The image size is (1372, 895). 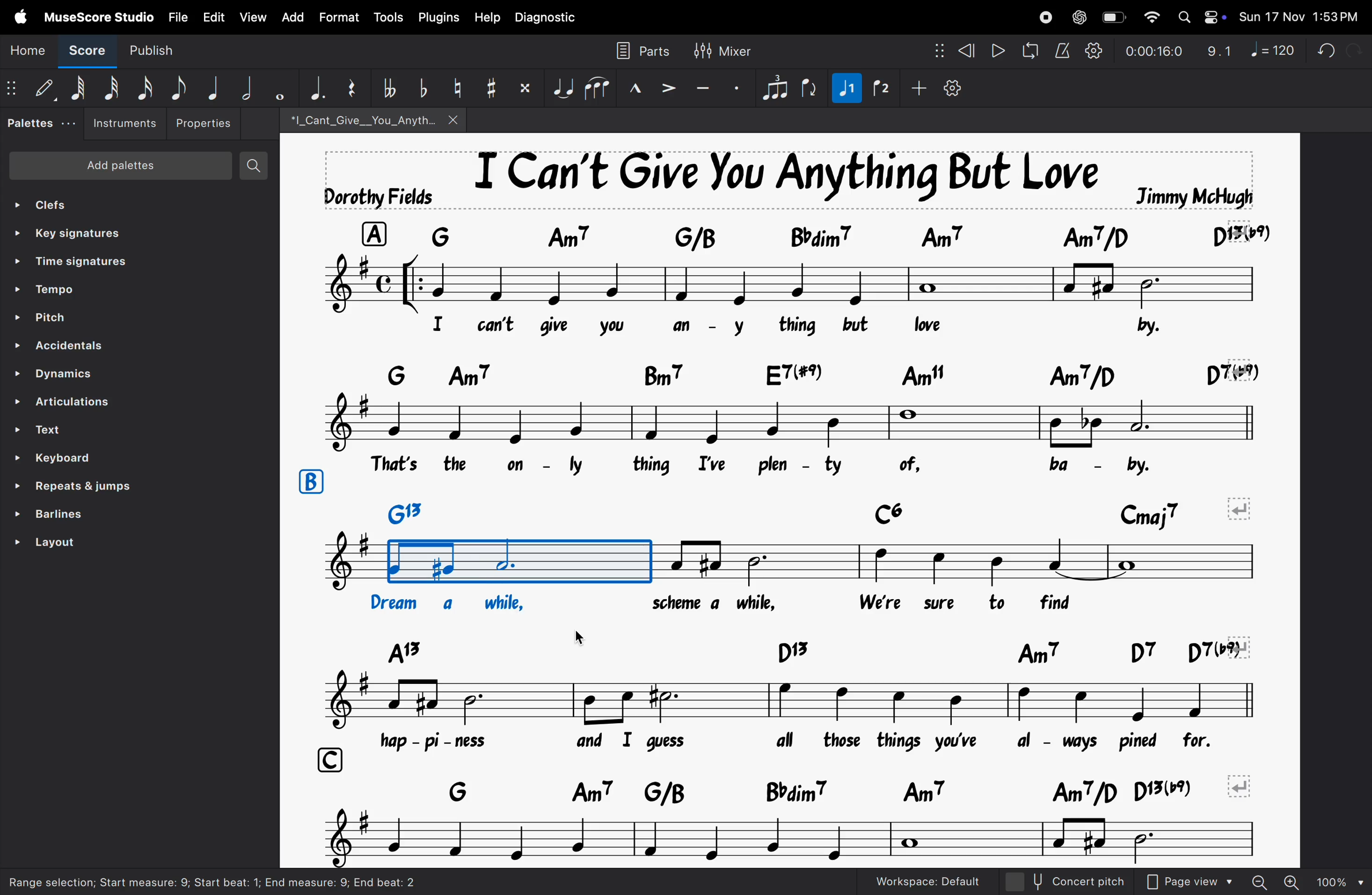 What do you see at coordinates (785, 464) in the screenshot?
I see `lyrics` at bounding box center [785, 464].